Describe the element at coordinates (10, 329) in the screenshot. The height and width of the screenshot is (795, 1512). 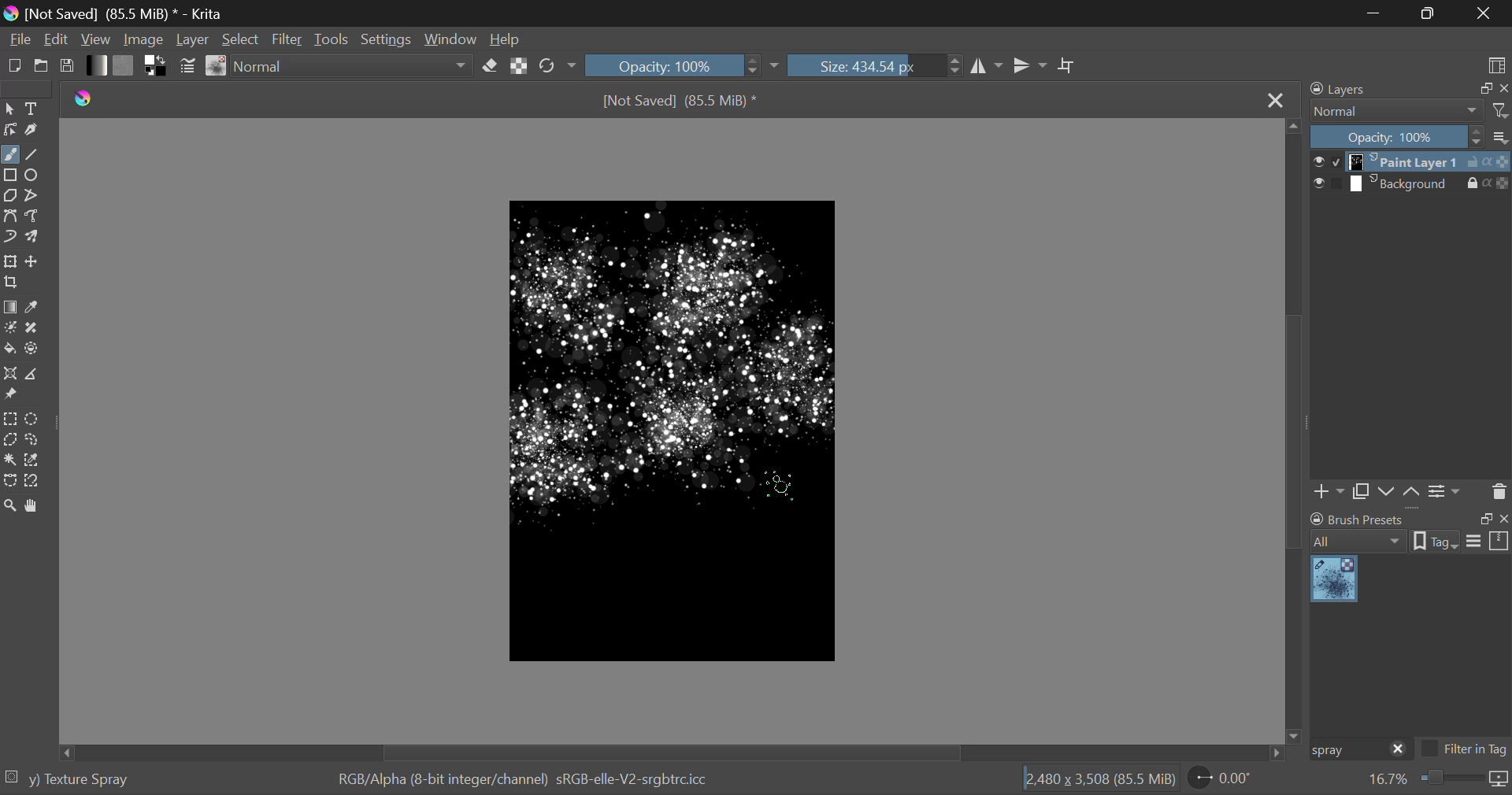
I see `Colorize Mask Tool` at that location.